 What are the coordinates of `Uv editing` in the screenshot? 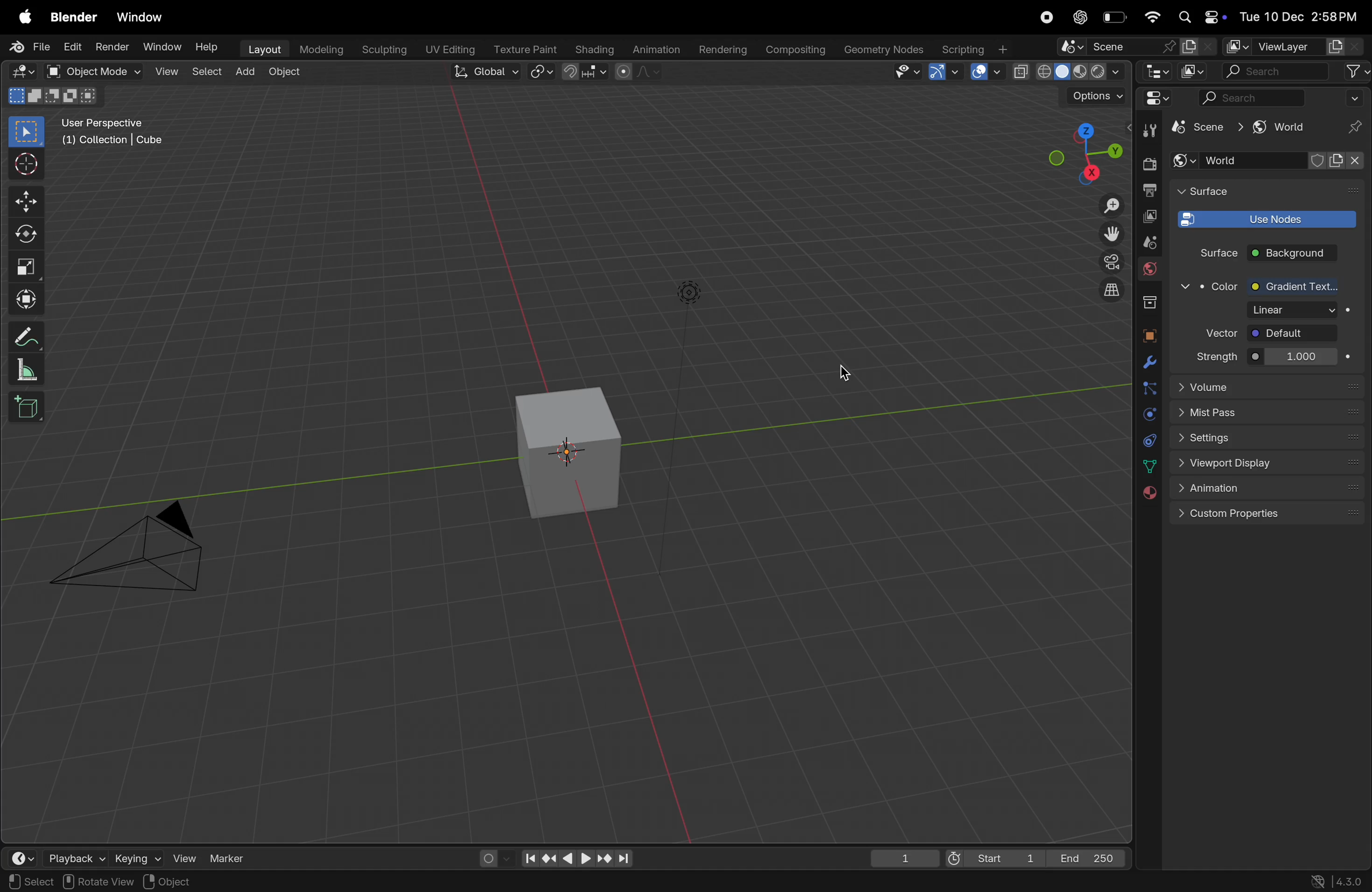 It's located at (448, 51).